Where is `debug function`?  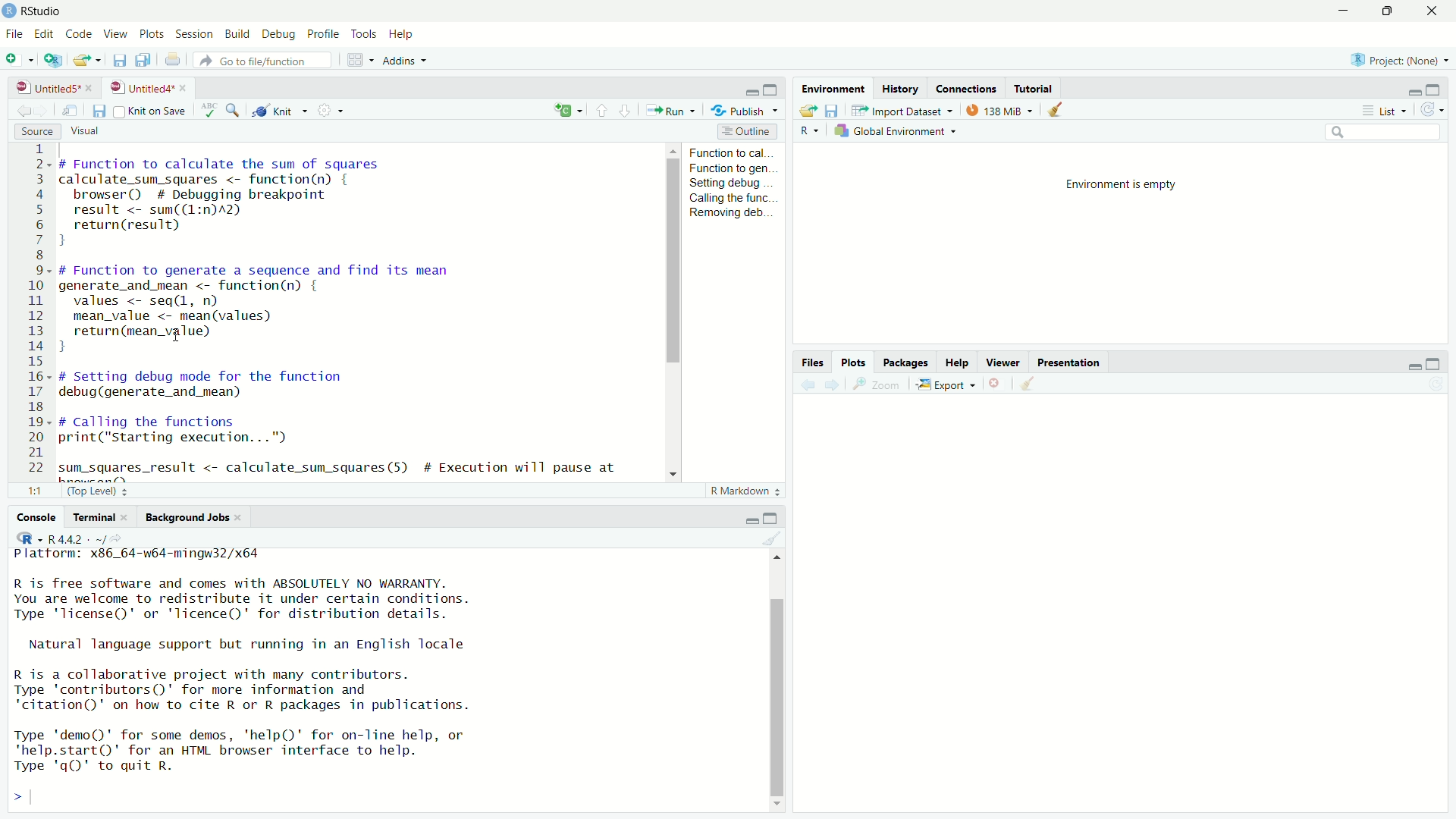 debug function is located at coordinates (227, 386).